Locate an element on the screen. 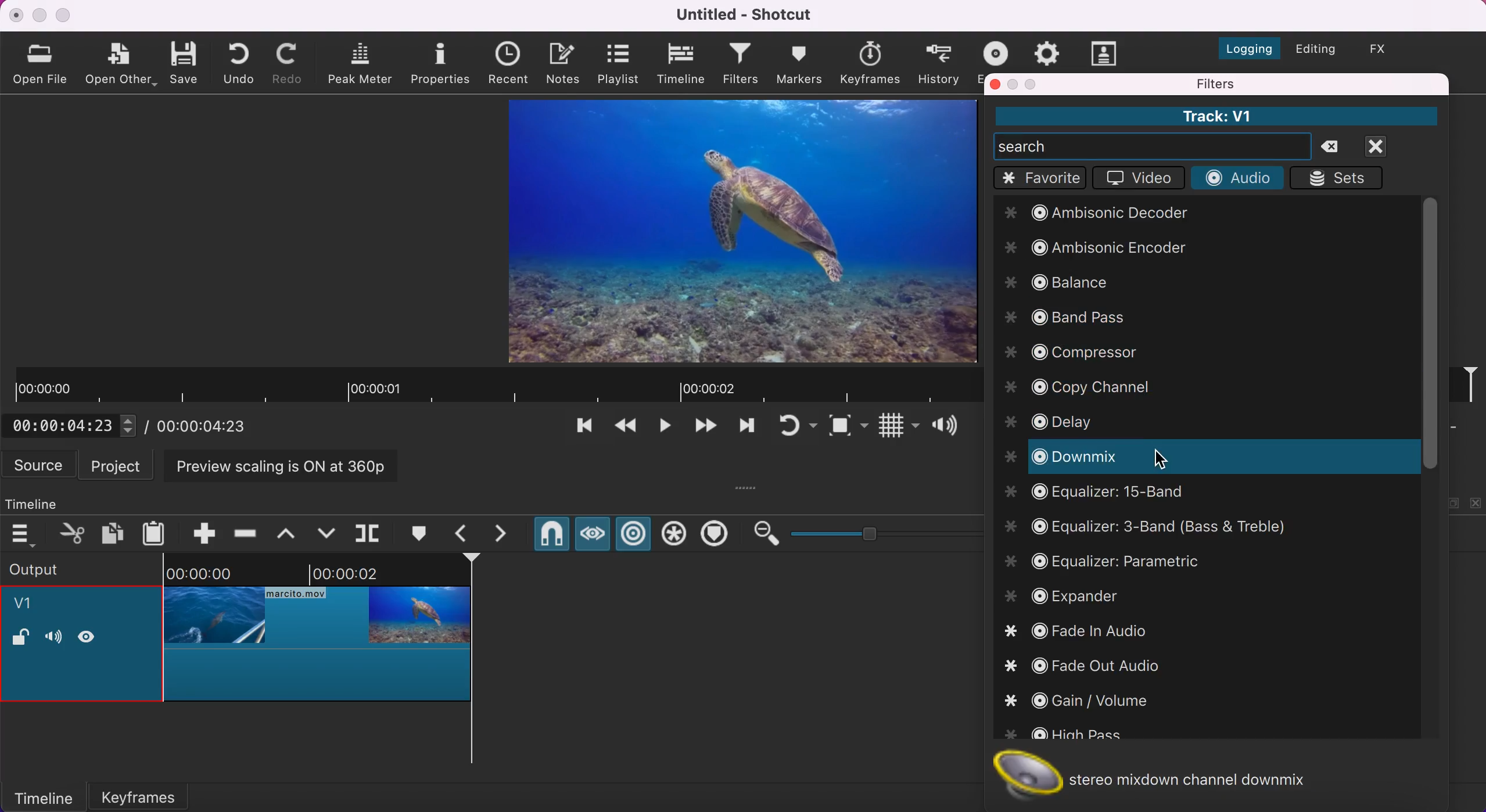 The width and height of the screenshot is (1486, 812). preview scaling is on at 360p is located at coordinates (288, 465).